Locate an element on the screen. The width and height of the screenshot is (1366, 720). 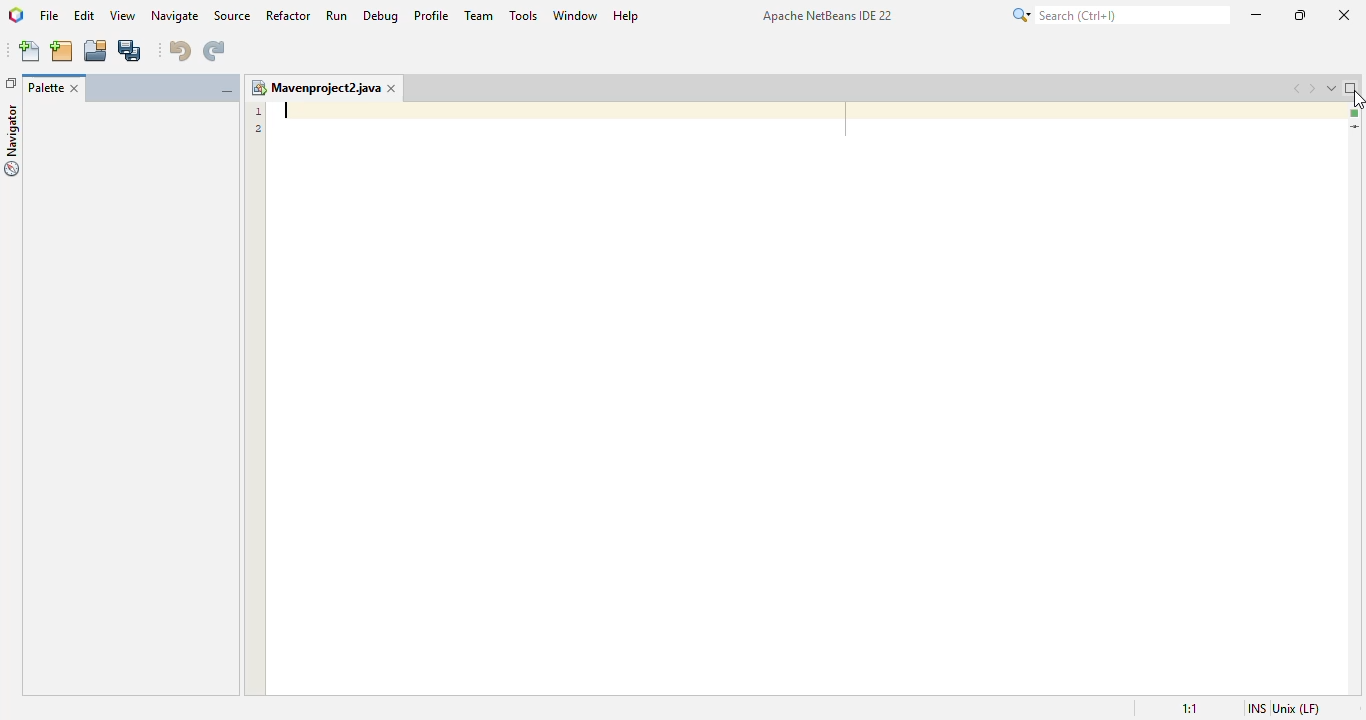
minimize window group is located at coordinates (227, 91).